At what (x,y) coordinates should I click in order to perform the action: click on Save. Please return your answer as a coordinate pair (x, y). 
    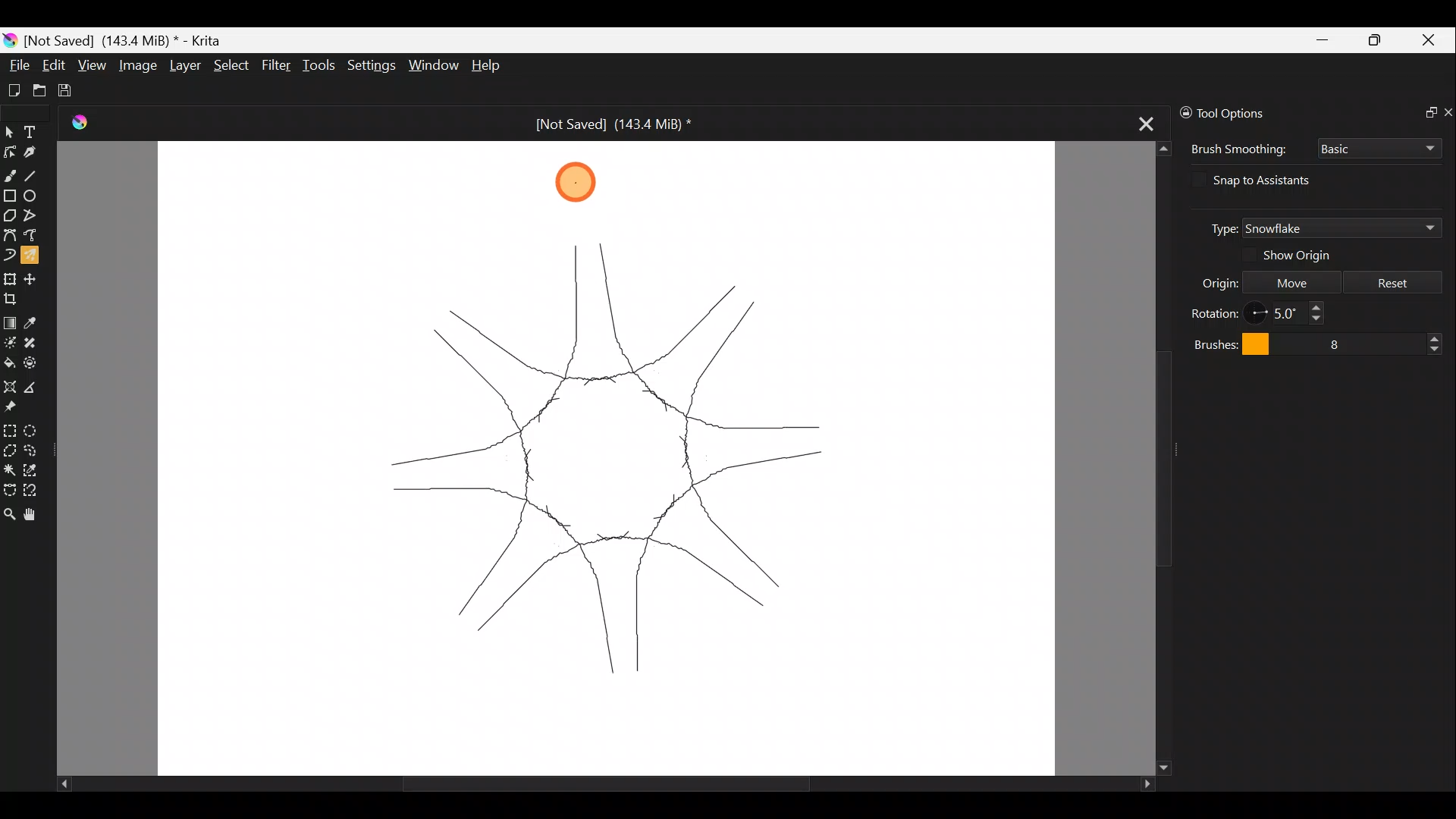
    Looking at the image, I should click on (70, 91).